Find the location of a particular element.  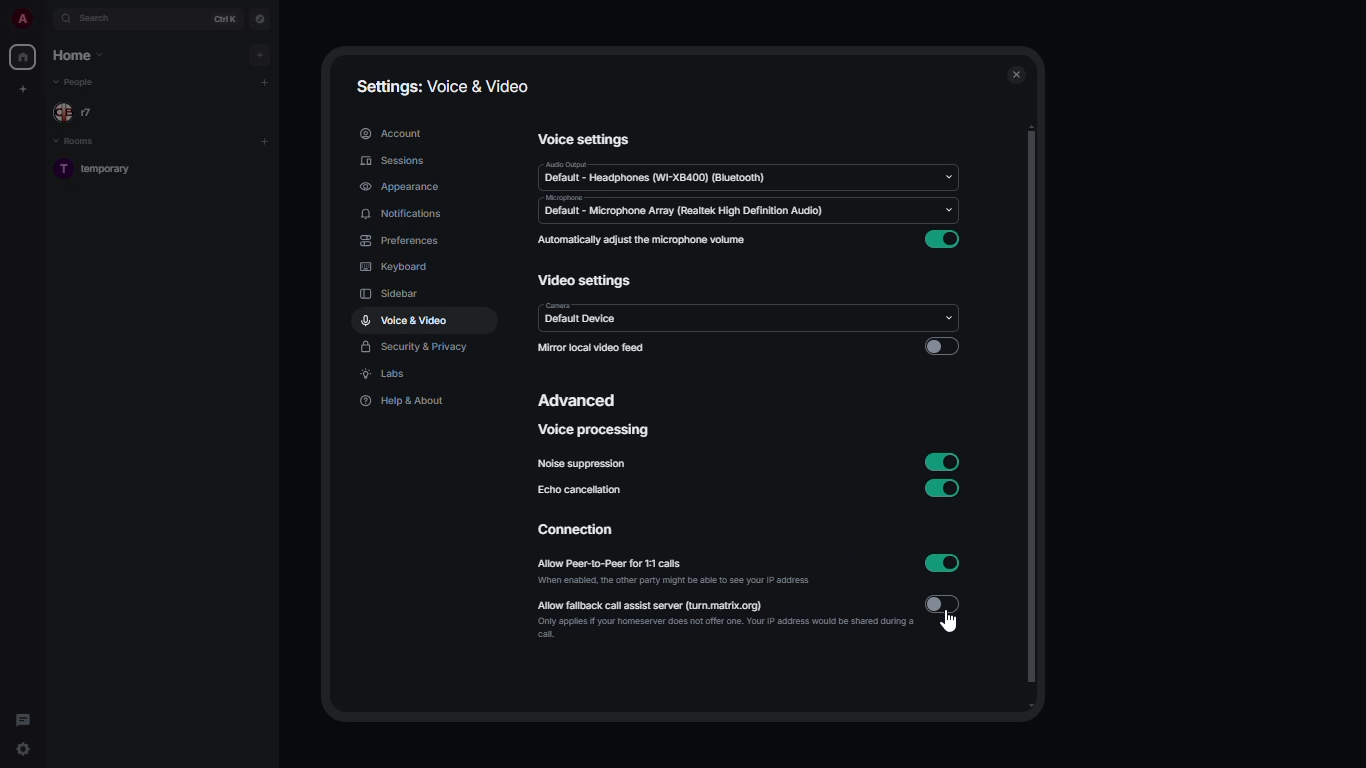

disabled is located at coordinates (941, 345).